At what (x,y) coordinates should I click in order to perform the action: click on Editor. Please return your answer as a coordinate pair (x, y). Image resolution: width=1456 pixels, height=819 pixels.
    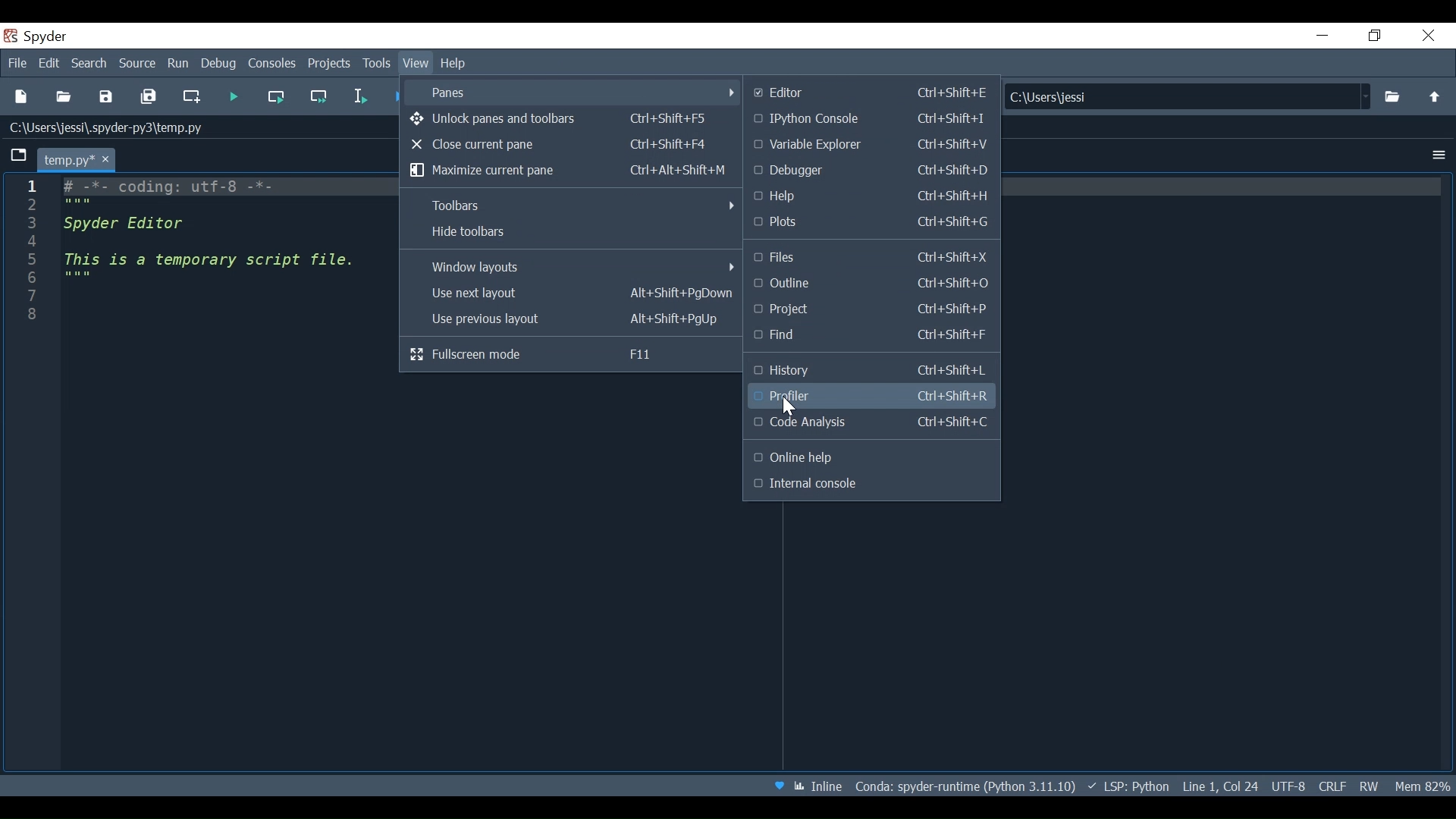
    Looking at the image, I should click on (871, 93).